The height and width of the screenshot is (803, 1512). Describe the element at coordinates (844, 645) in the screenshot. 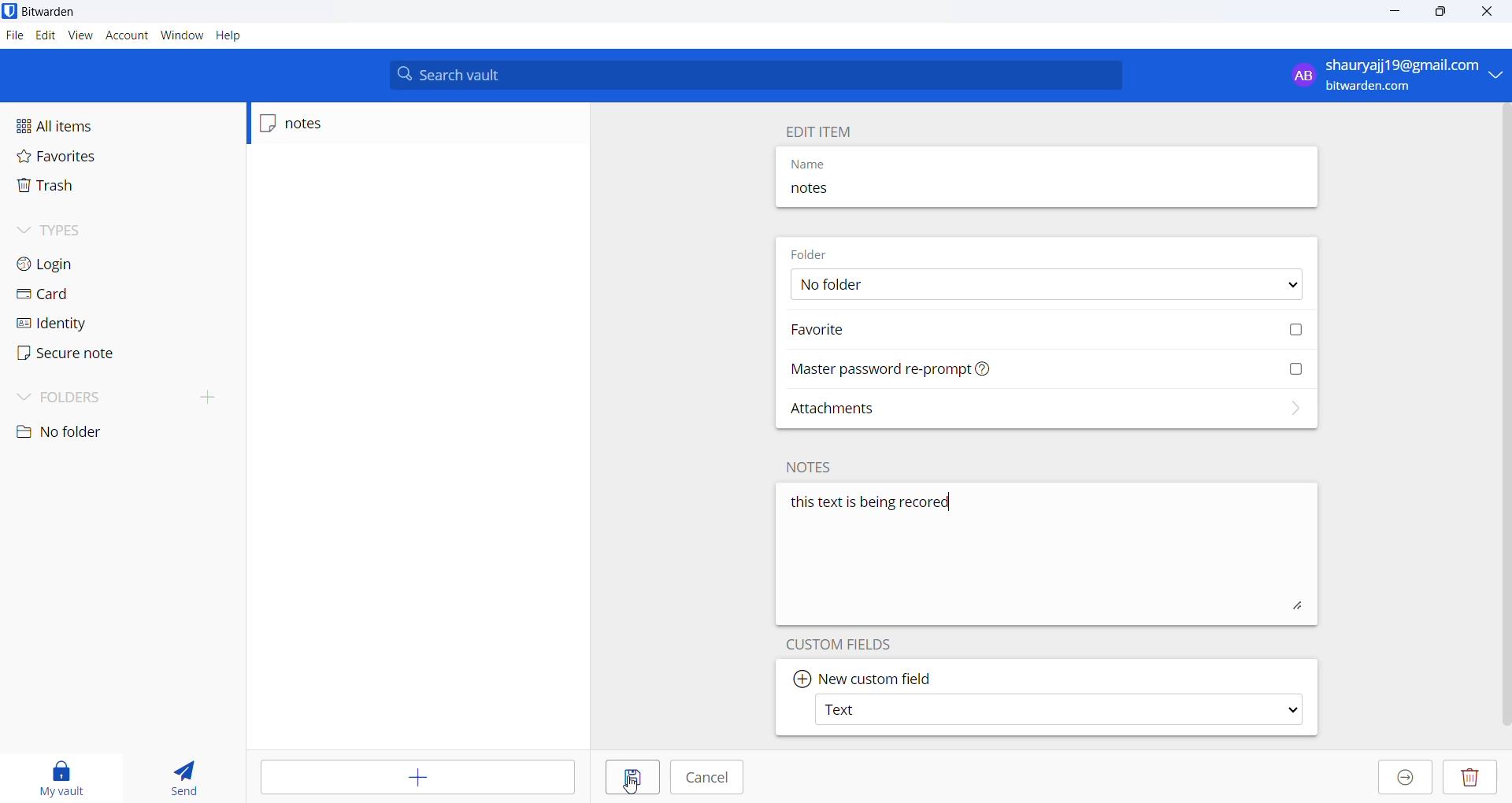

I see `custom fields` at that location.